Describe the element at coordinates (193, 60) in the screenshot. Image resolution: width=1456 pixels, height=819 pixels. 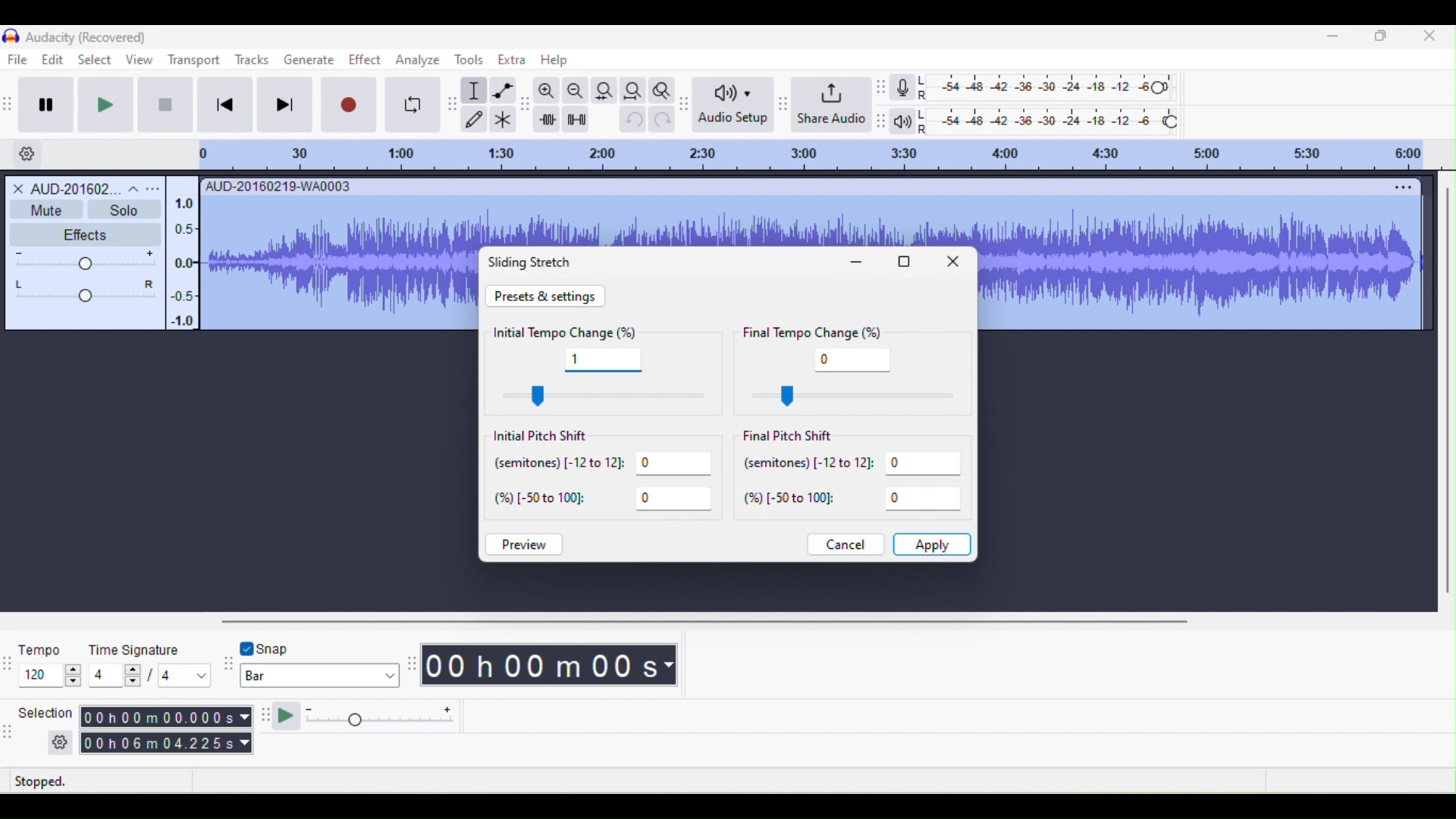
I see `transport` at that location.